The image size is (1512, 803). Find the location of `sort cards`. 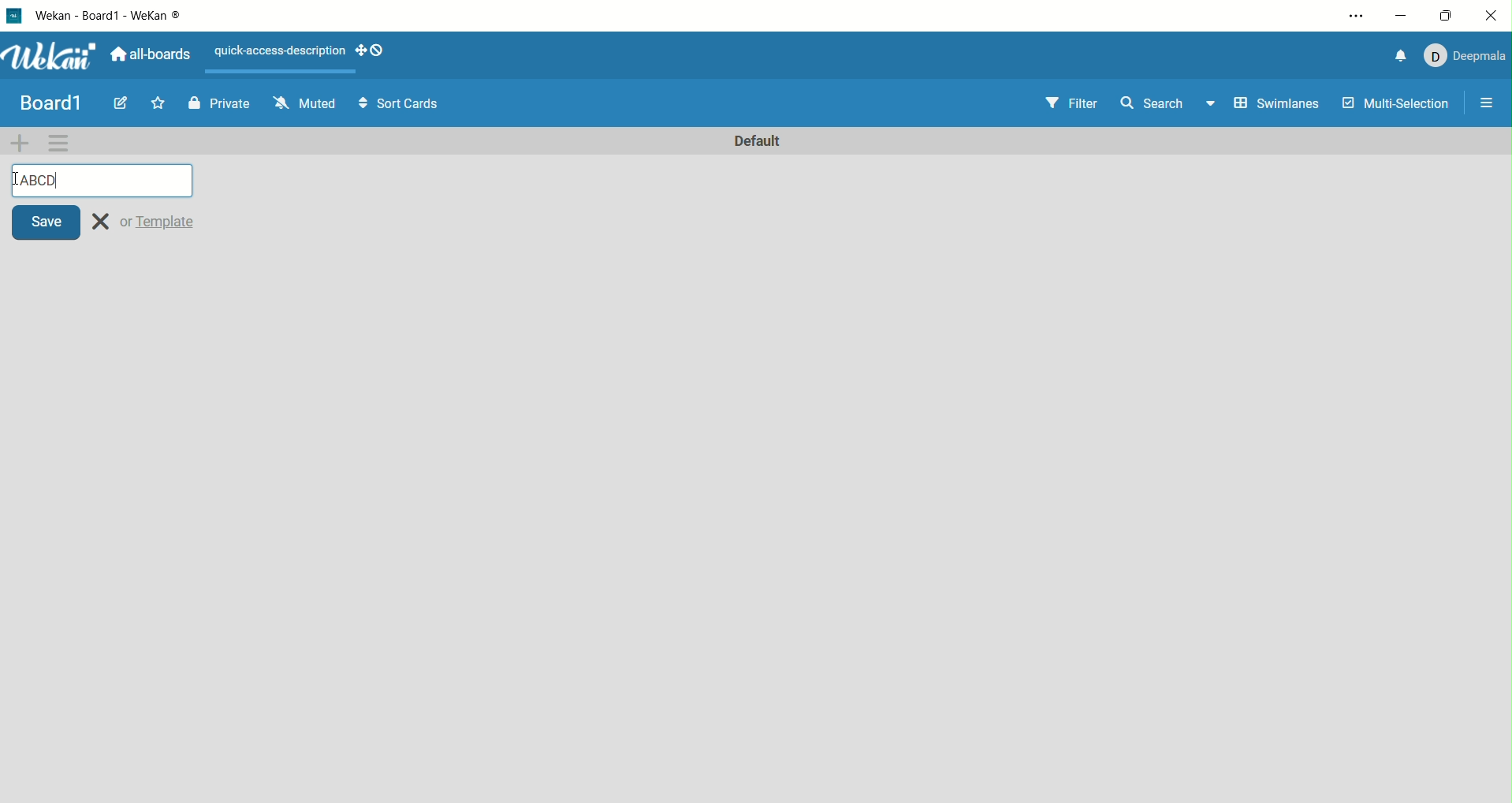

sort cards is located at coordinates (400, 103).